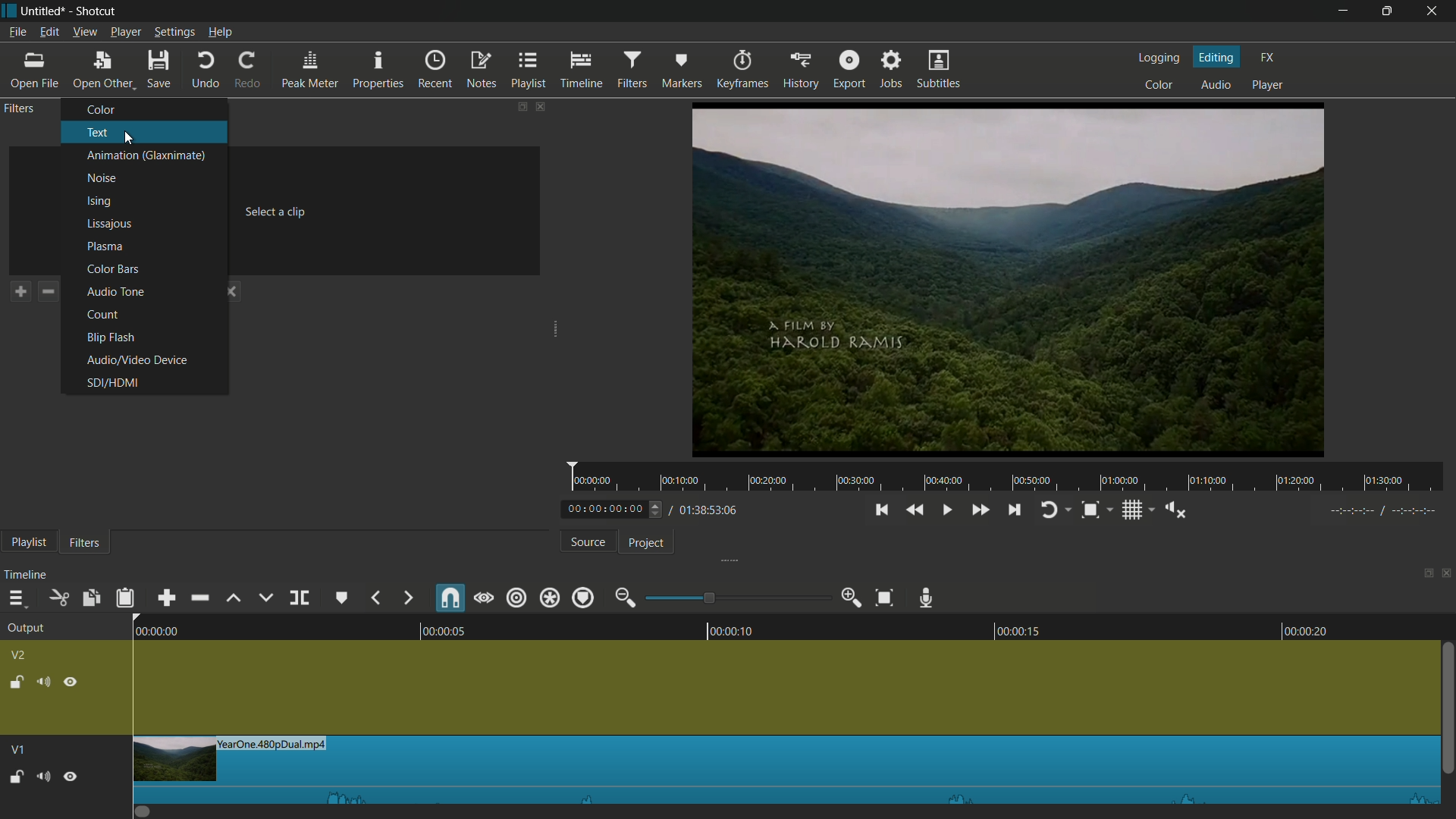  Describe the element at coordinates (940, 71) in the screenshot. I see `subtitles` at that location.